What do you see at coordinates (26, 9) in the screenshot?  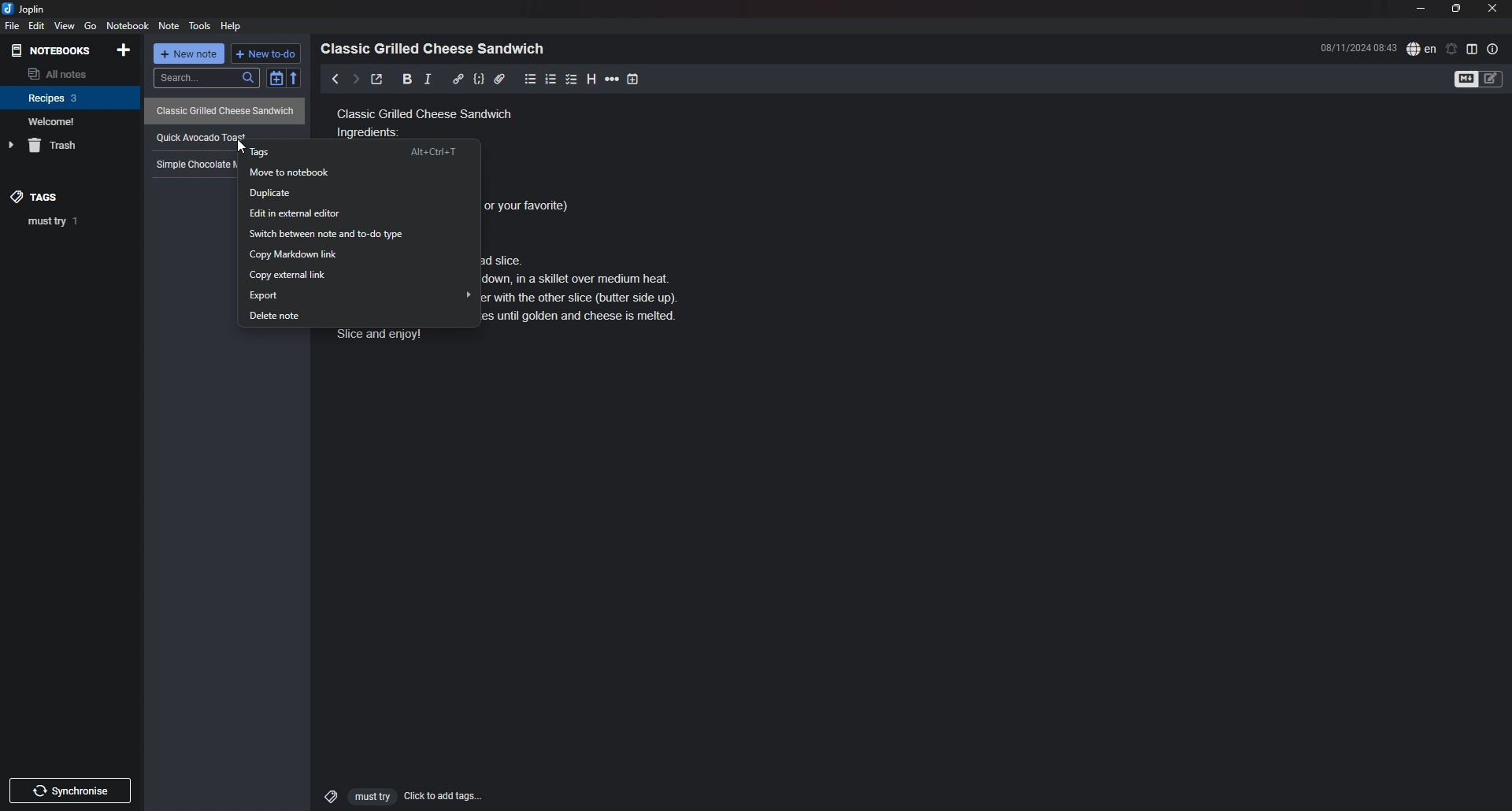 I see `joplin` at bounding box center [26, 9].